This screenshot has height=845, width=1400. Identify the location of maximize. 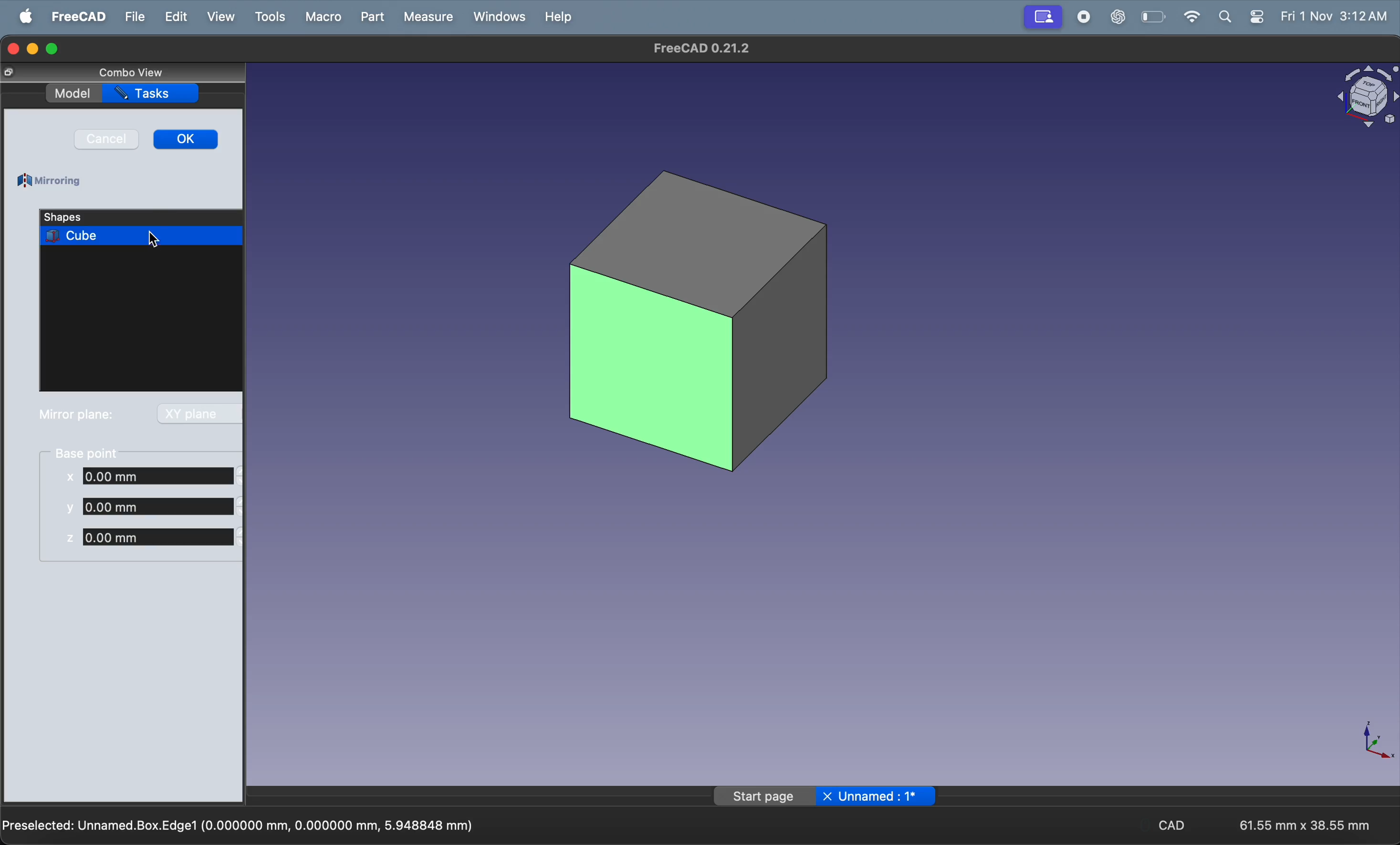
(52, 49).